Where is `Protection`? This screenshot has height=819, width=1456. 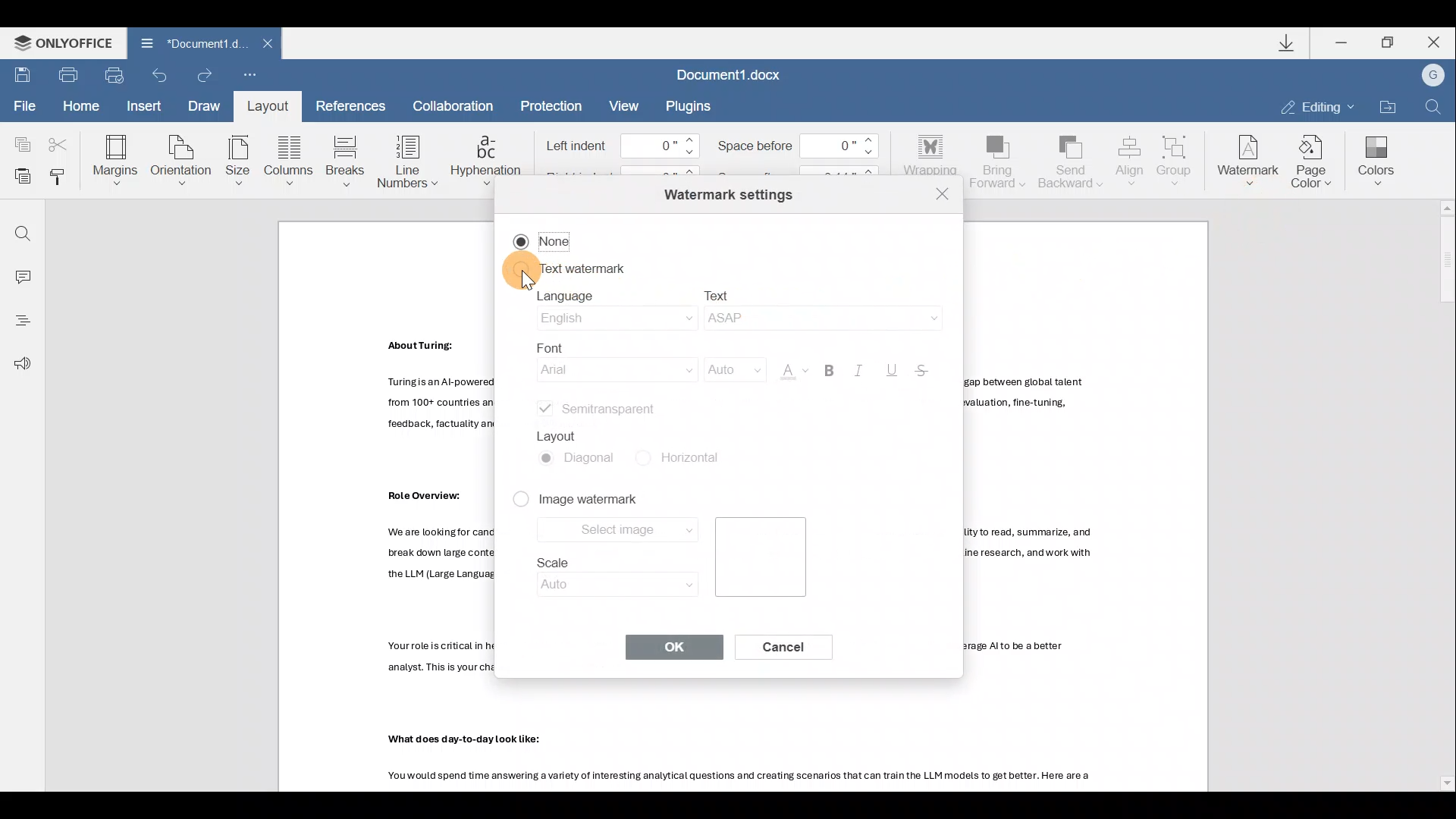
Protection is located at coordinates (554, 104).